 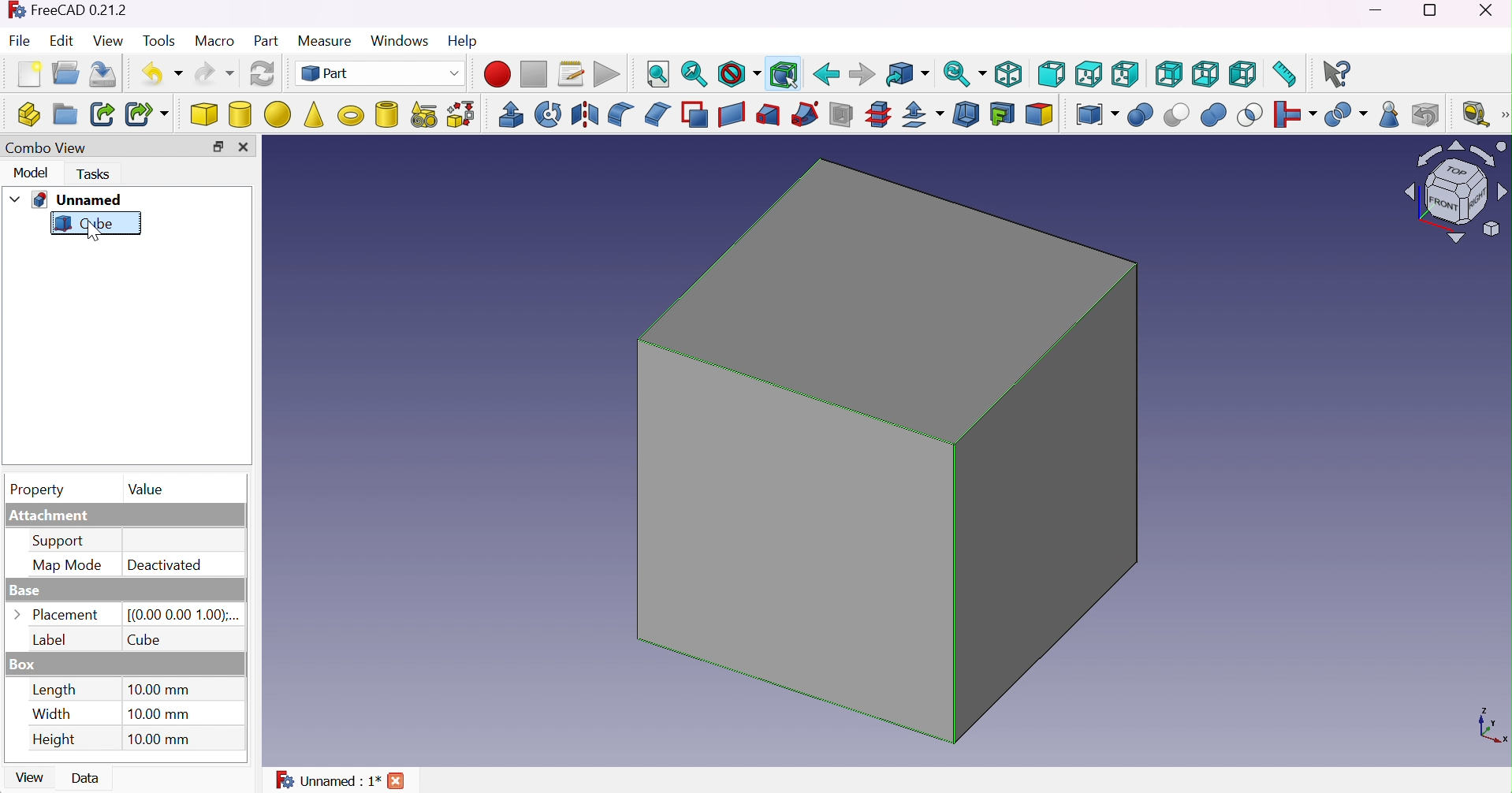 I want to click on Property, so click(x=42, y=490).